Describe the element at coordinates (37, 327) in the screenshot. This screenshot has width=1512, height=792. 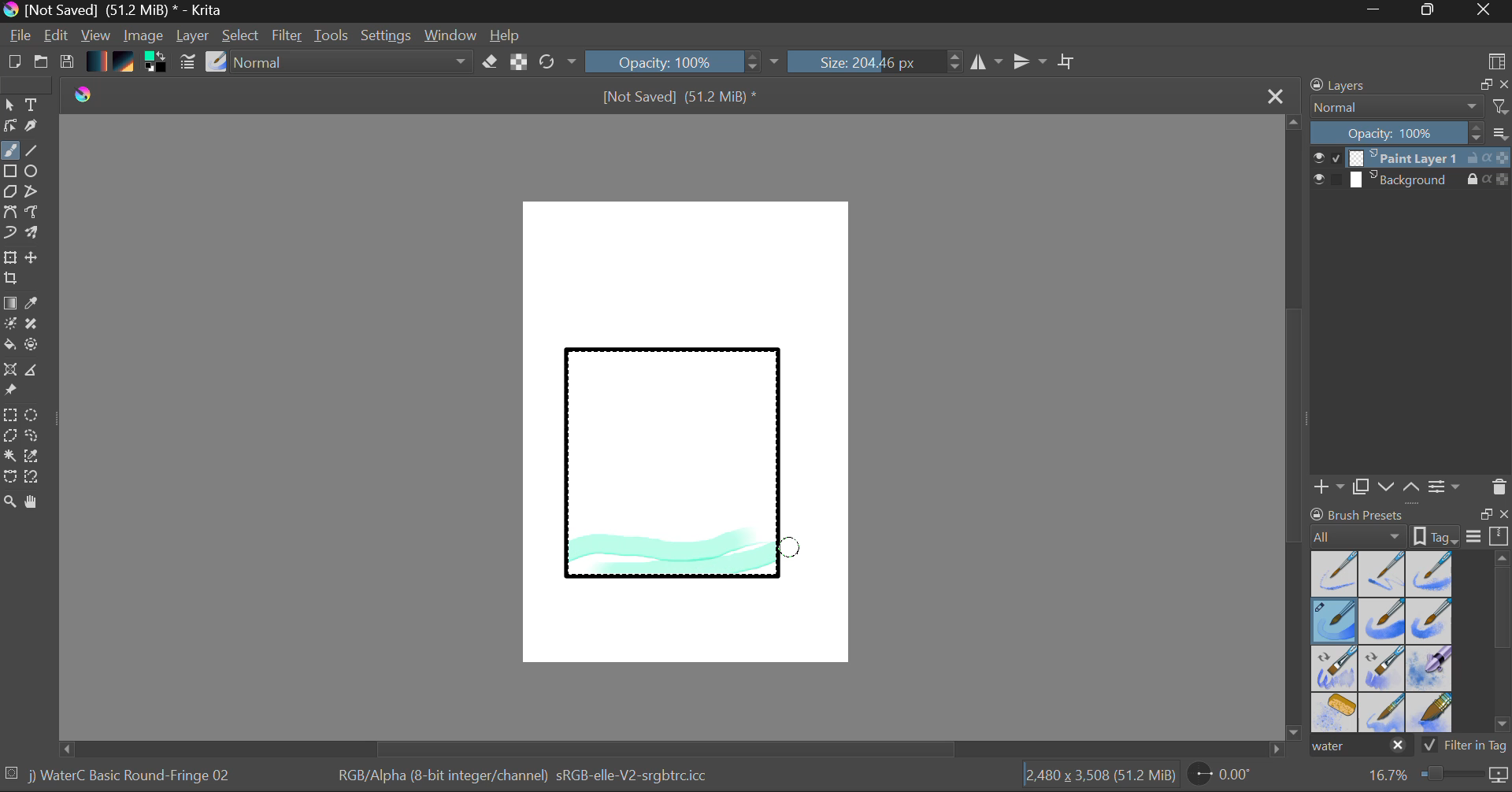
I see `Smart Patch Tool` at that location.